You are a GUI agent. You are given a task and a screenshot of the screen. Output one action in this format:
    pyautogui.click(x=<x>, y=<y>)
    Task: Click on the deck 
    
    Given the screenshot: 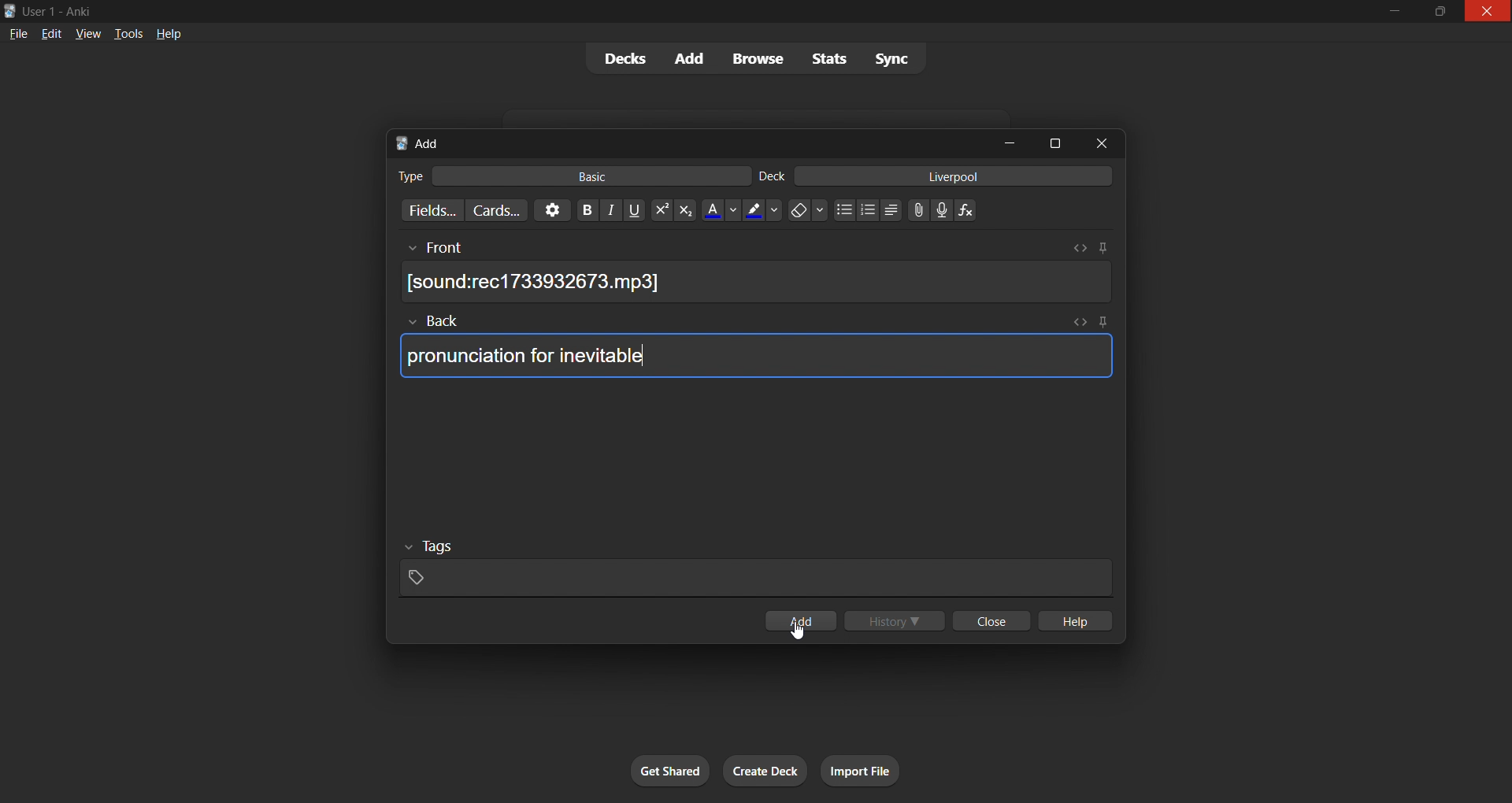 What is the action you would take?
    pyautogui.click(x=775, y=175)
    